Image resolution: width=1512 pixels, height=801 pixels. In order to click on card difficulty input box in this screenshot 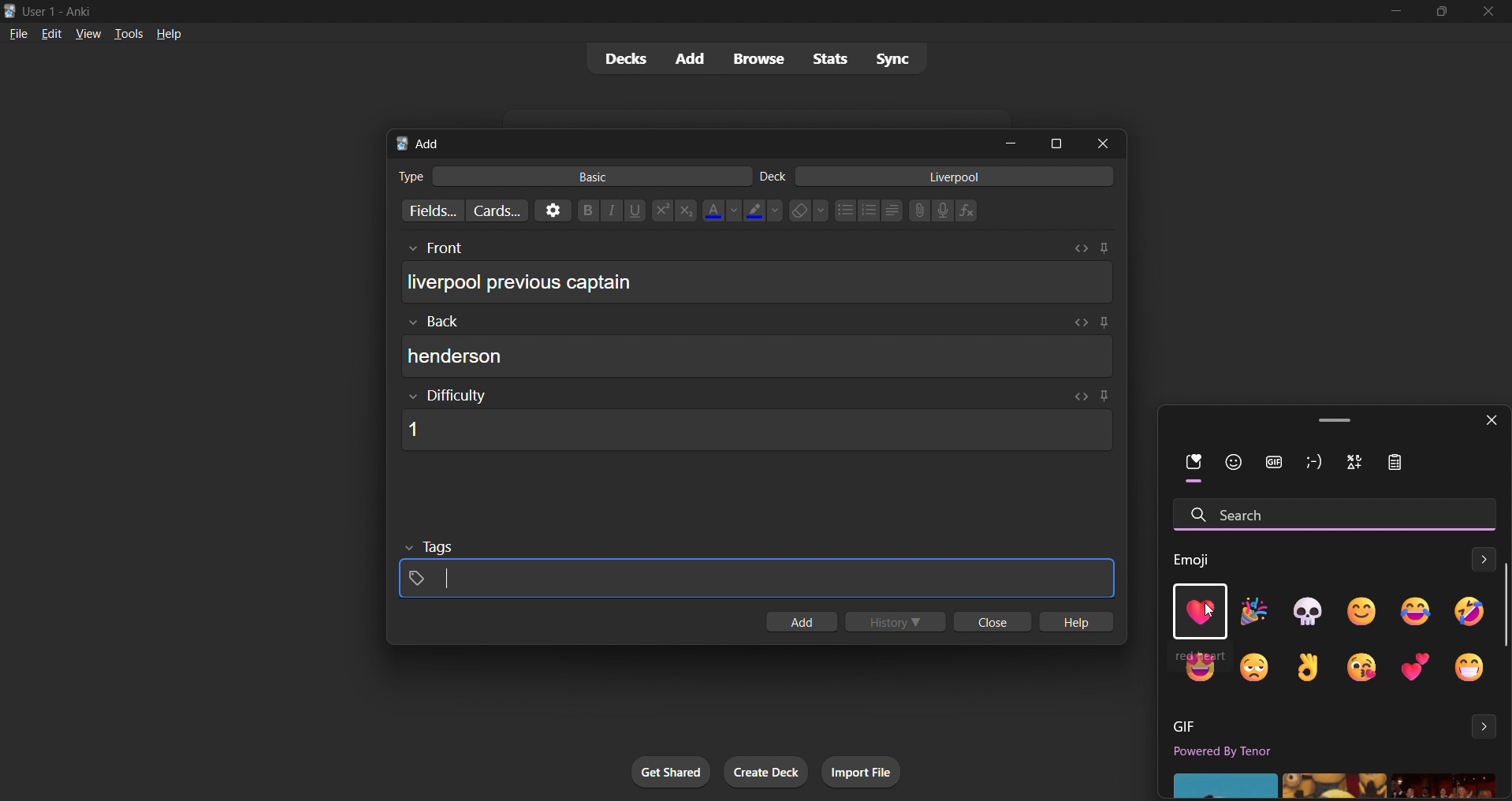, I will do `click(753, 420)`.